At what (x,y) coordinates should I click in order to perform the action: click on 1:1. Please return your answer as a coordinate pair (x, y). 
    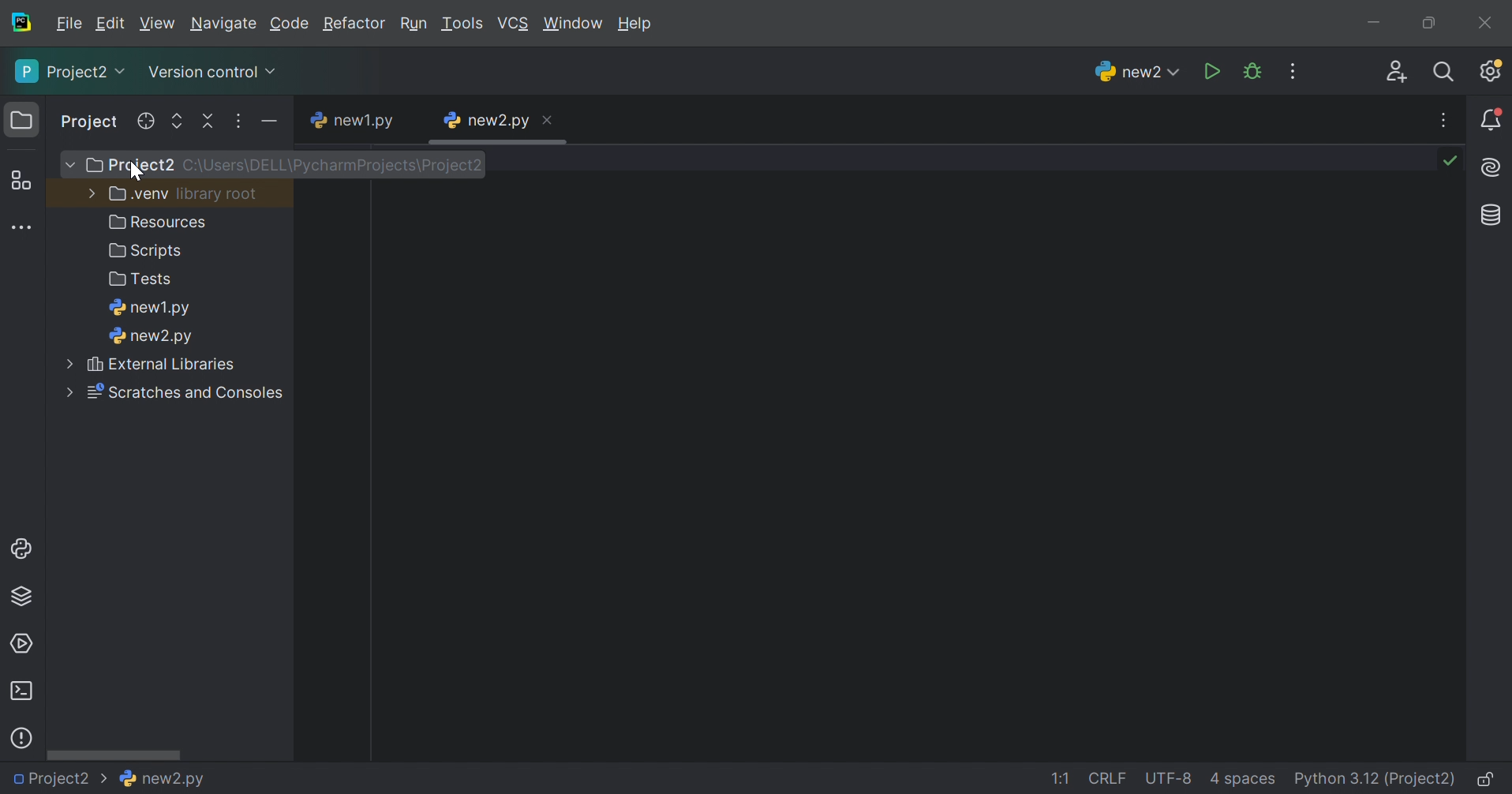
    Looking at the image, I should click on (1065, 780).